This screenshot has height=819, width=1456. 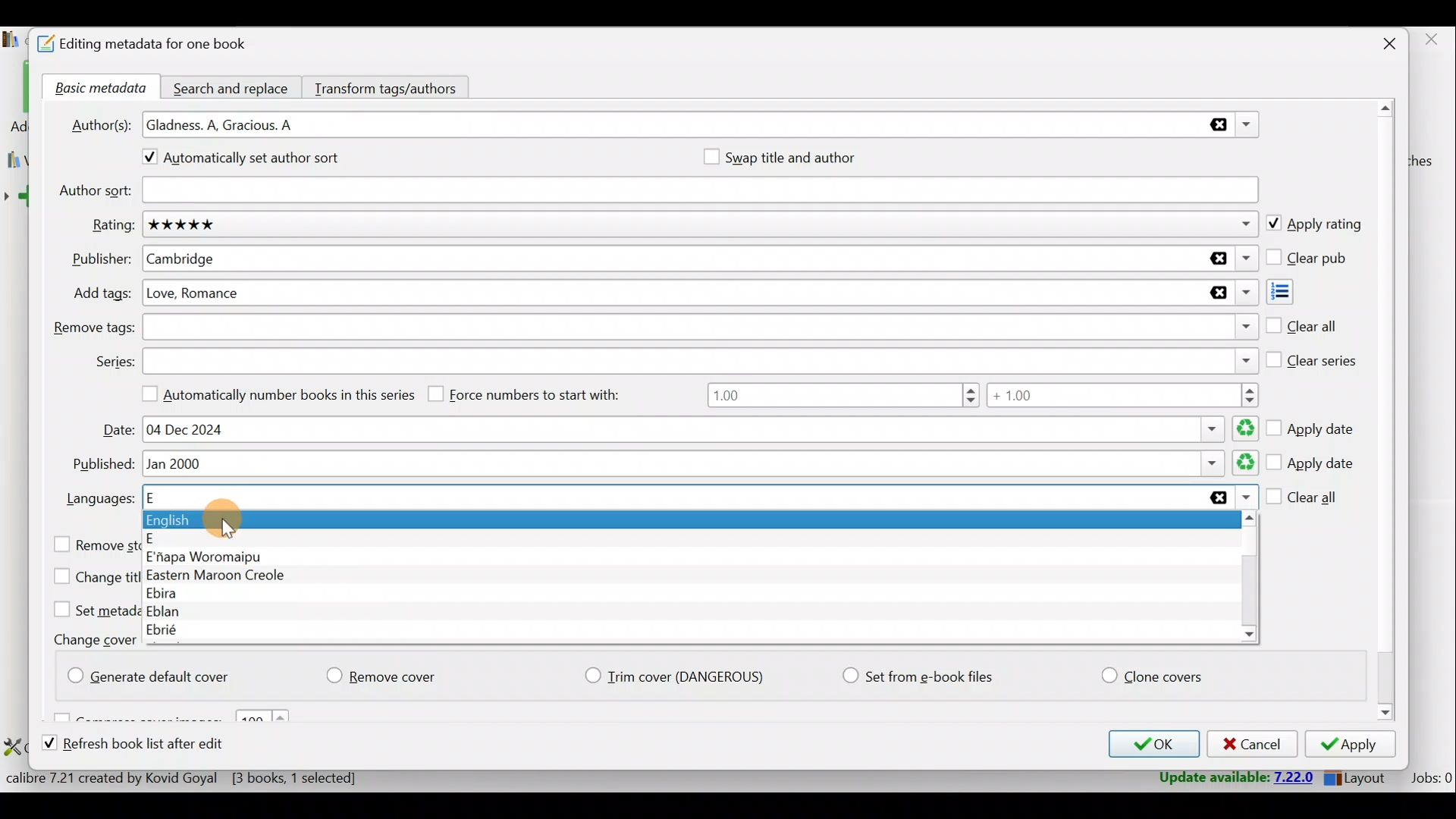 What do you see at coordinates (93, 191) in the screenshot?
I see `Author sort:` at bounding box center [93, 191].